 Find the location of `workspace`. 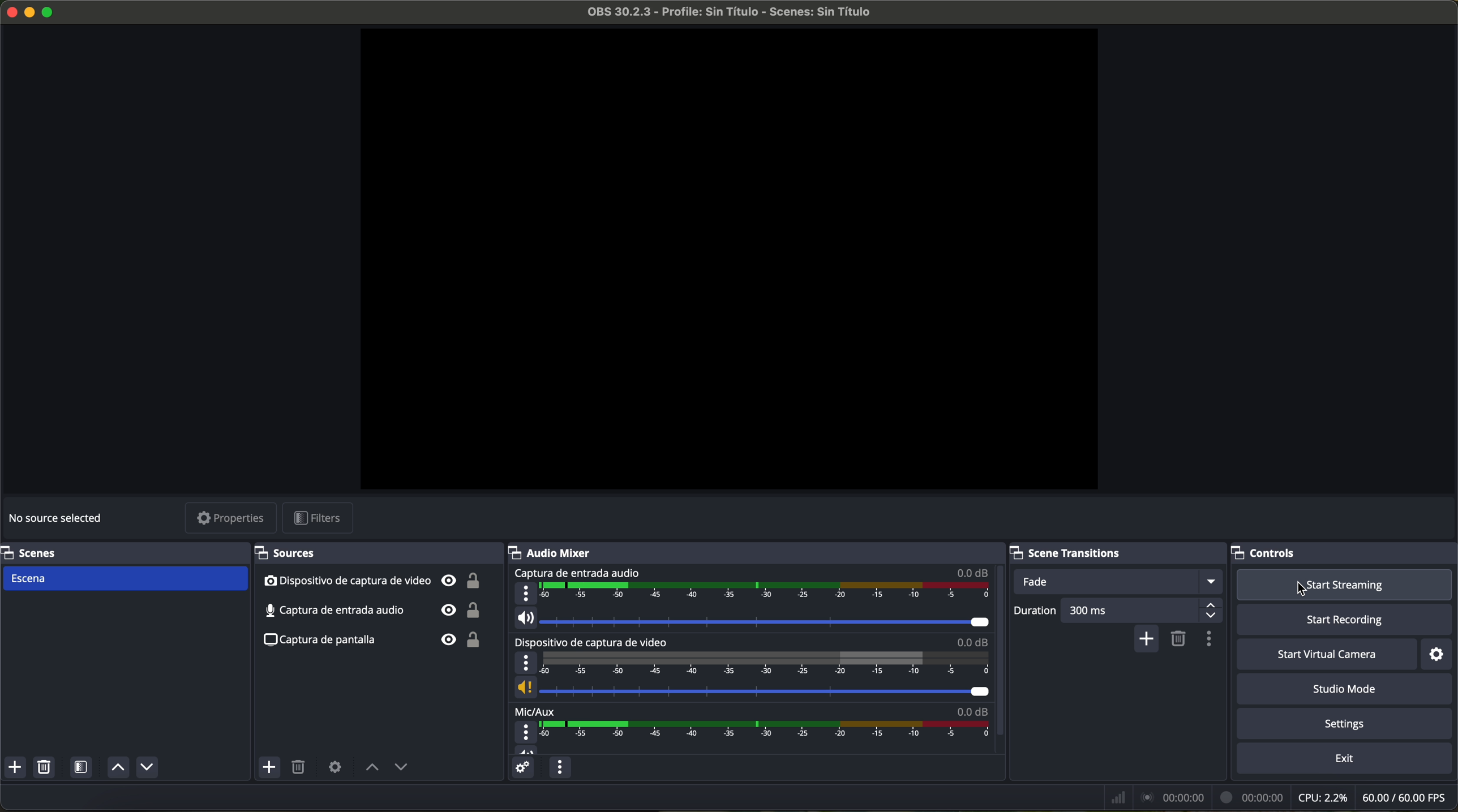

workspace is located at coordinates (730, 259).